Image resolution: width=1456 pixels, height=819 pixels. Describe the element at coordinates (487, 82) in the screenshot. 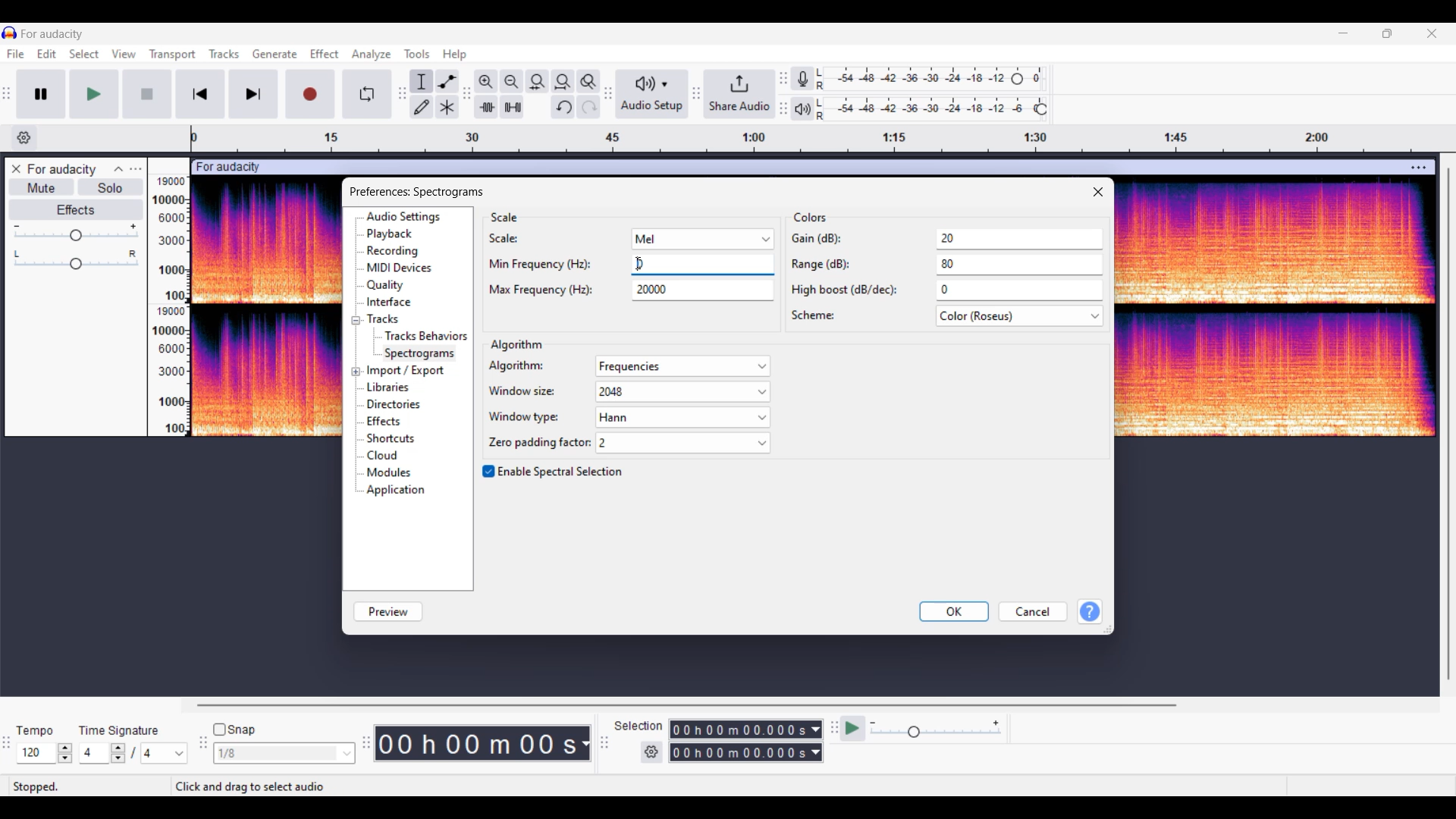

I see `Zoom in` at that location.